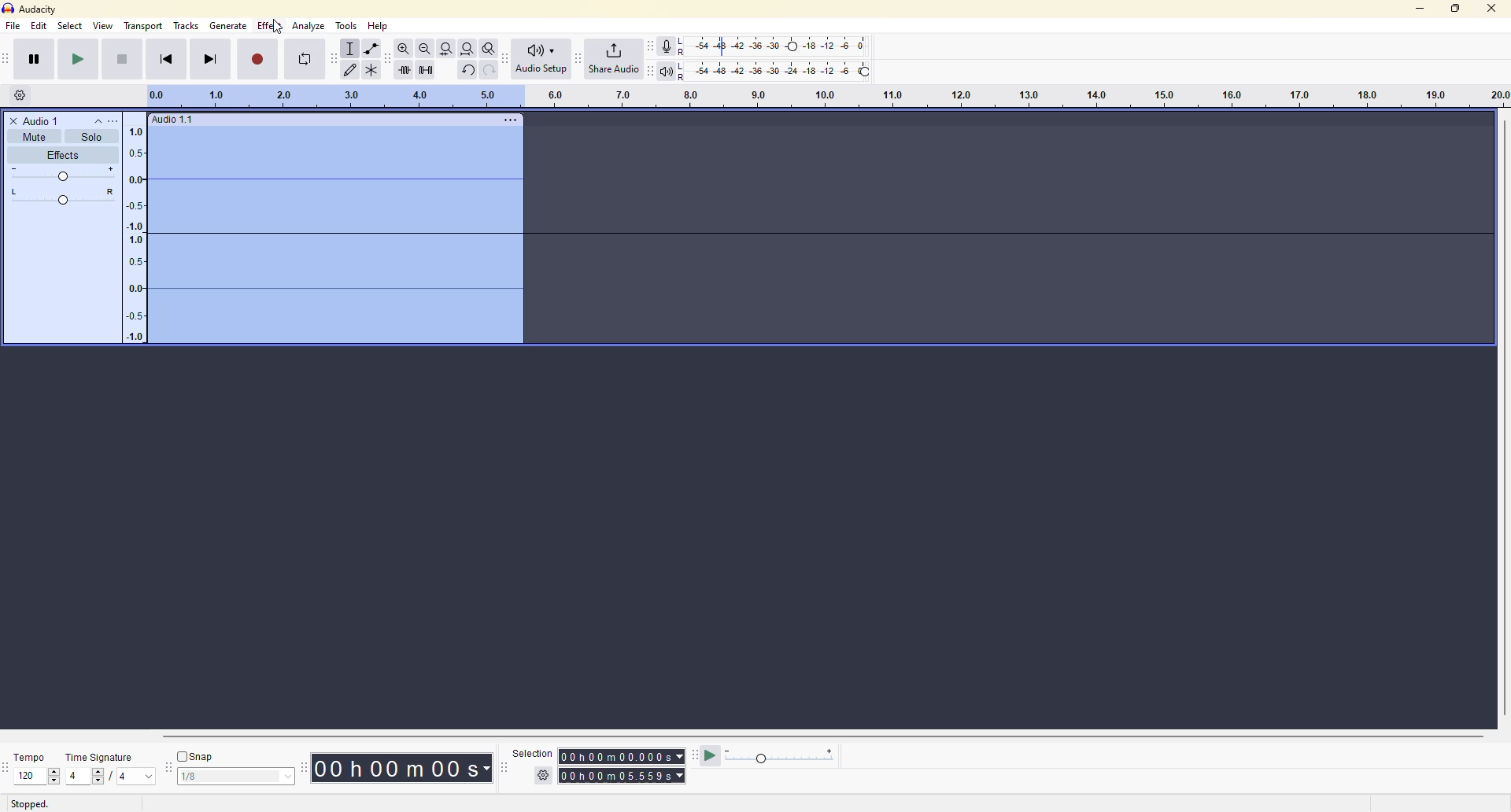 Image resolution: width=1511 pixels, height=812 pixels. Describe the element at coordinates (198, 756) in the screenshot. I see `snap` at that location.